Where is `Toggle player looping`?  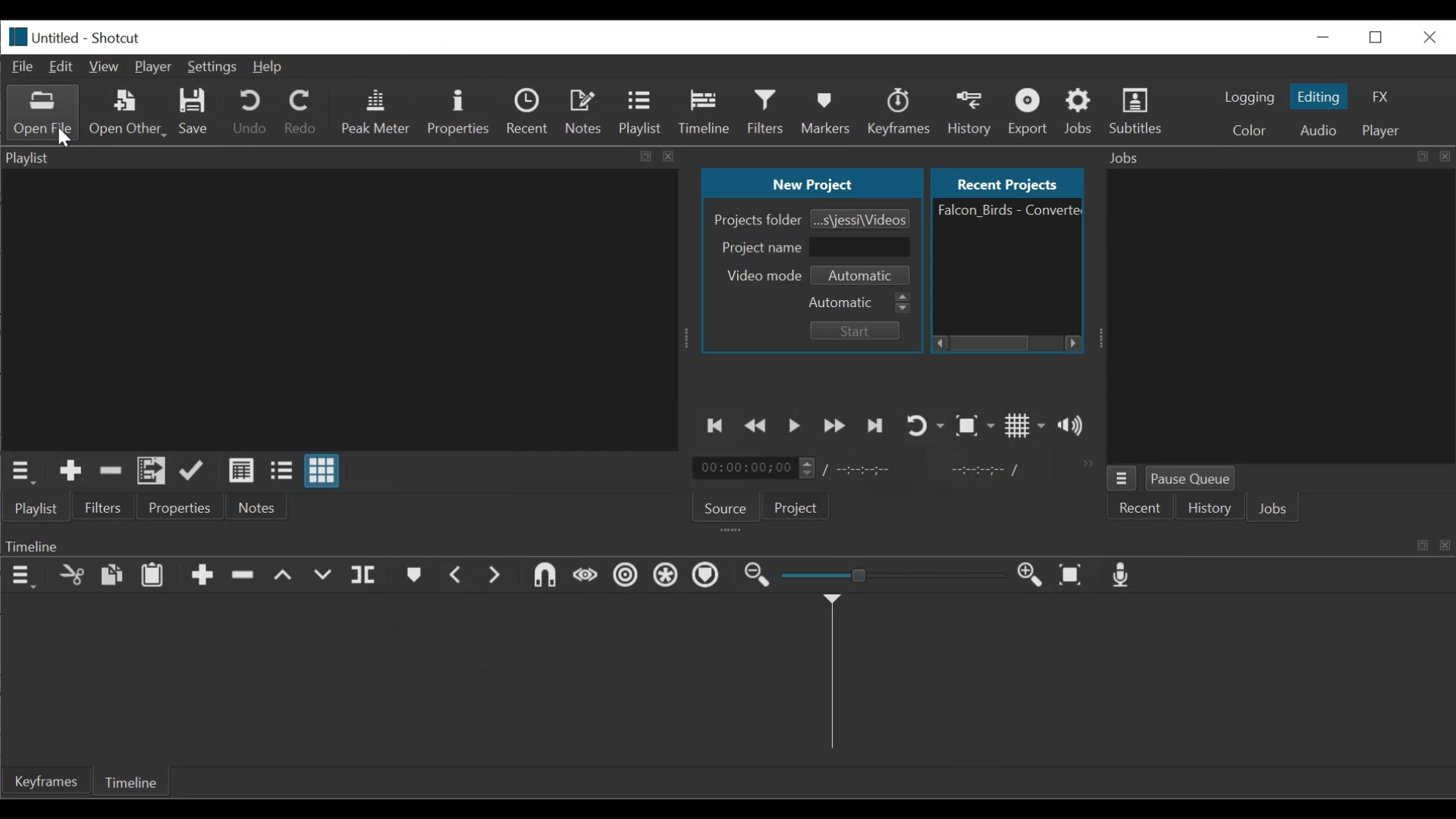 Toggle player looping is located at coordinates (925, 425).